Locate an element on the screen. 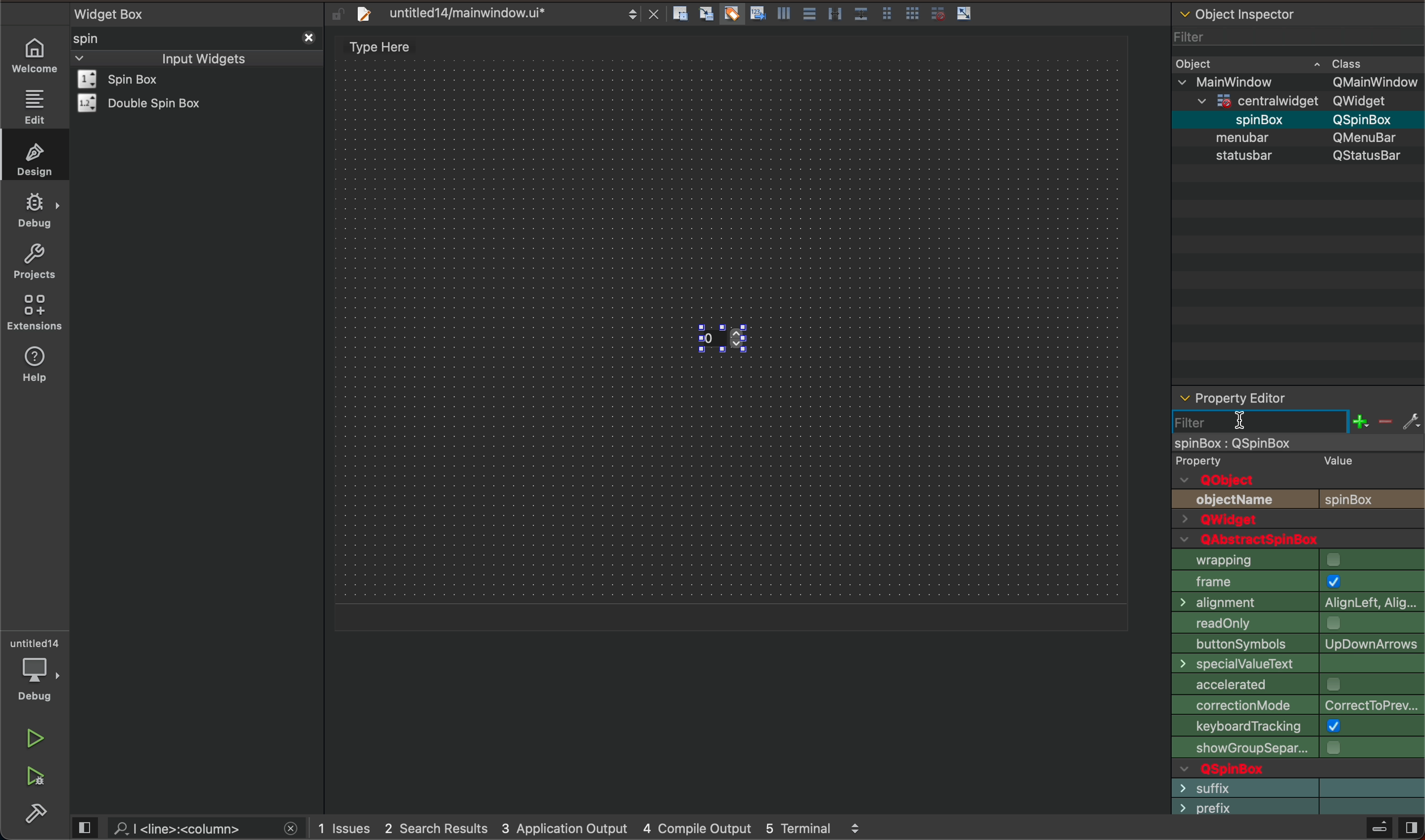 The image size is (1425, 840). spin box is located at coordinates (1250, 119).